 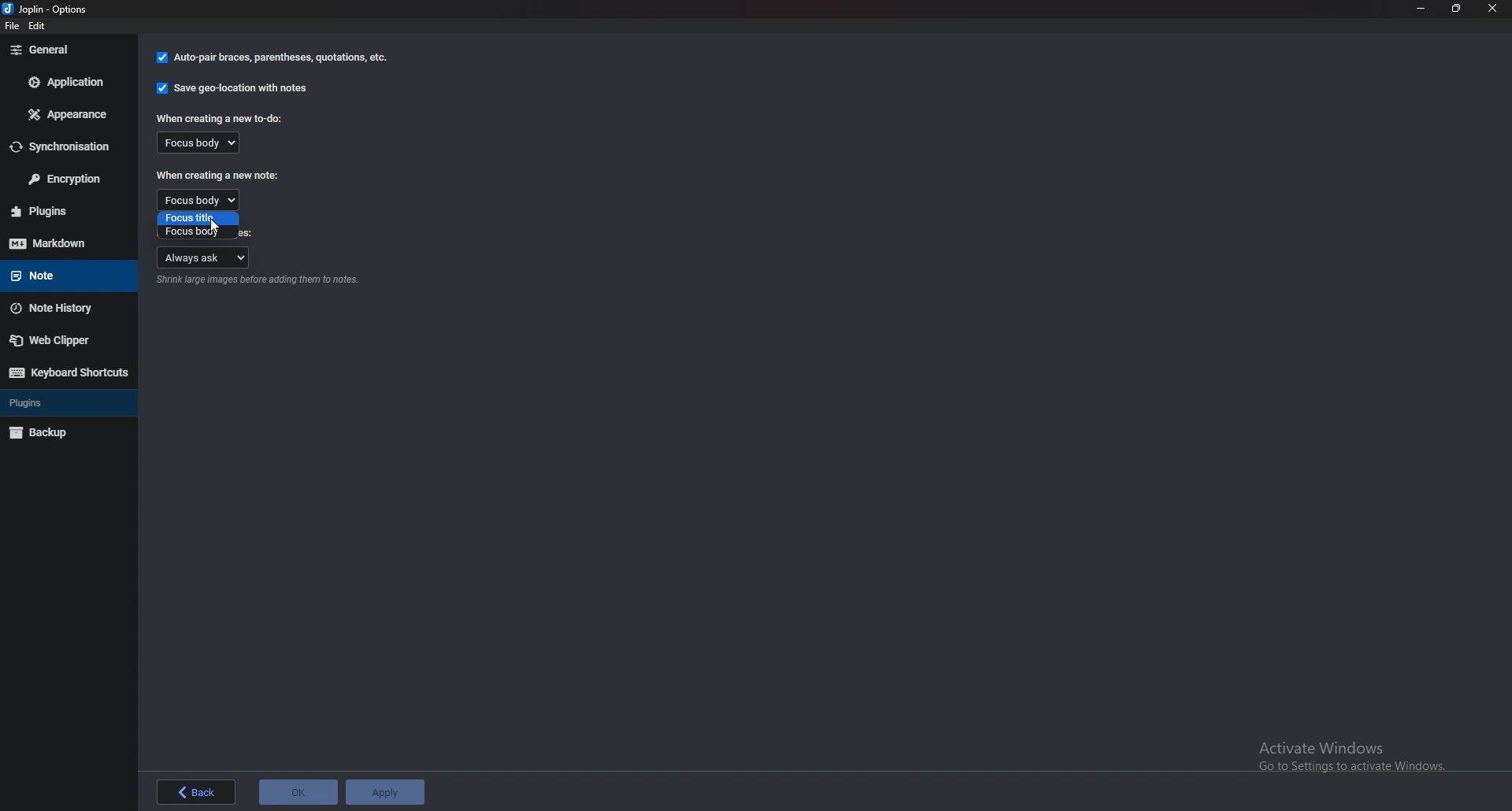 I want to click on Note history, so click(x=61, y=308).